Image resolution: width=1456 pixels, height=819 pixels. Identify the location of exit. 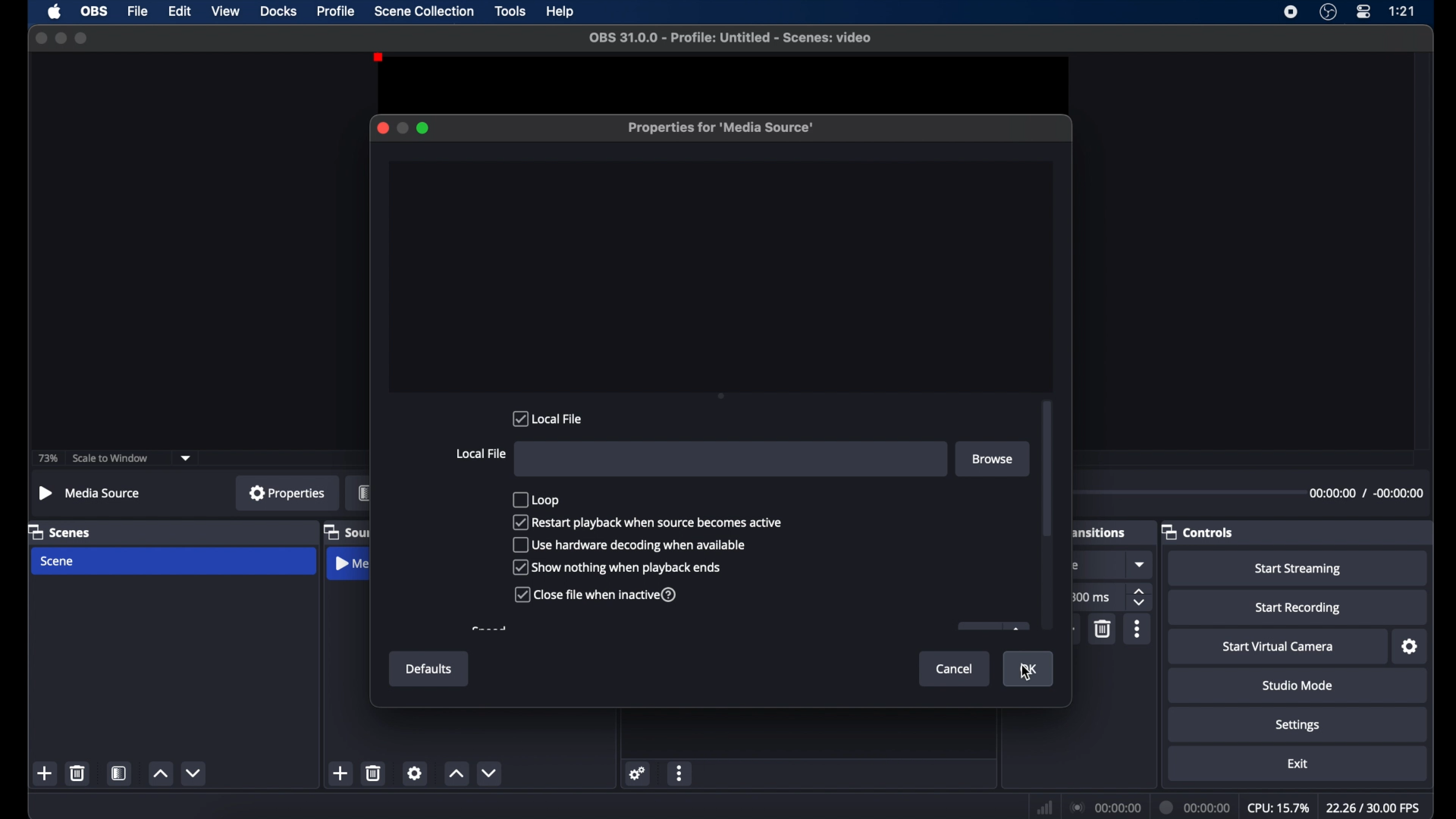
(1298, 764).